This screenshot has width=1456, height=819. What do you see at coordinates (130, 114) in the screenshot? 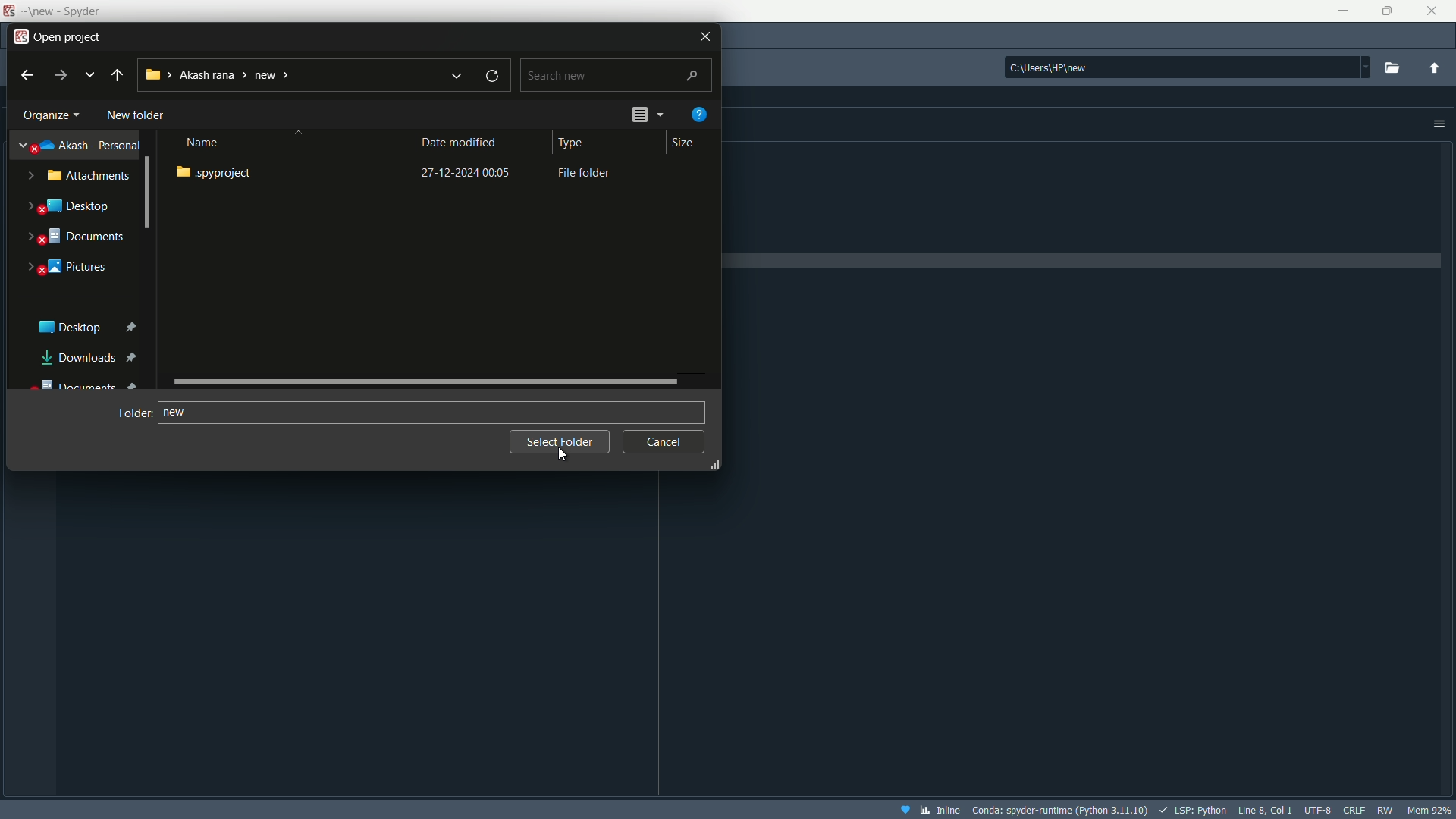
I see `new folder` at bounding box center [130, 114].